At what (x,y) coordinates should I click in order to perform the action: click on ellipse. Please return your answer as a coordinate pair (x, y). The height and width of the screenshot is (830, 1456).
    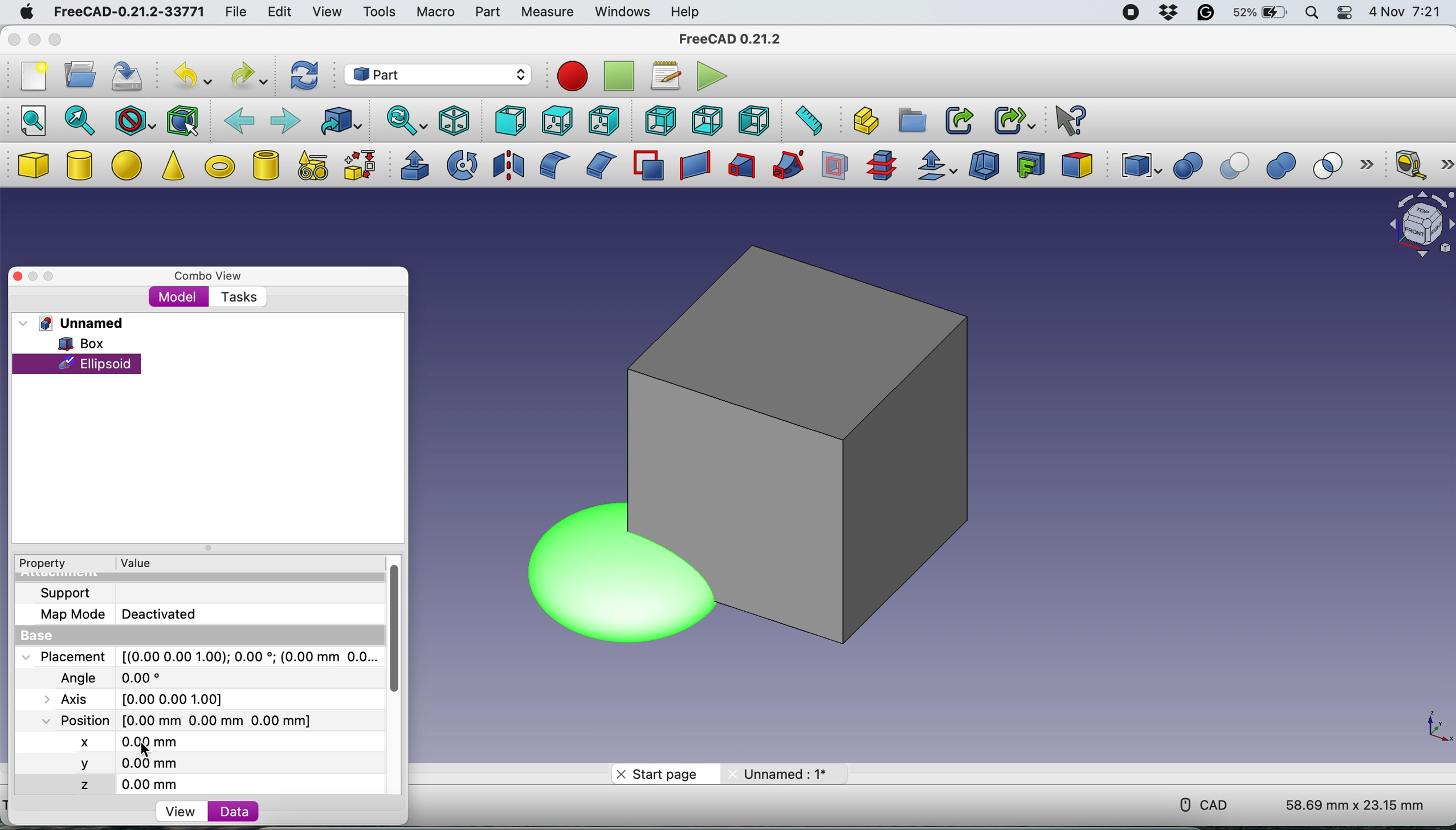
    Looking at the image, I should click on (129, 164).